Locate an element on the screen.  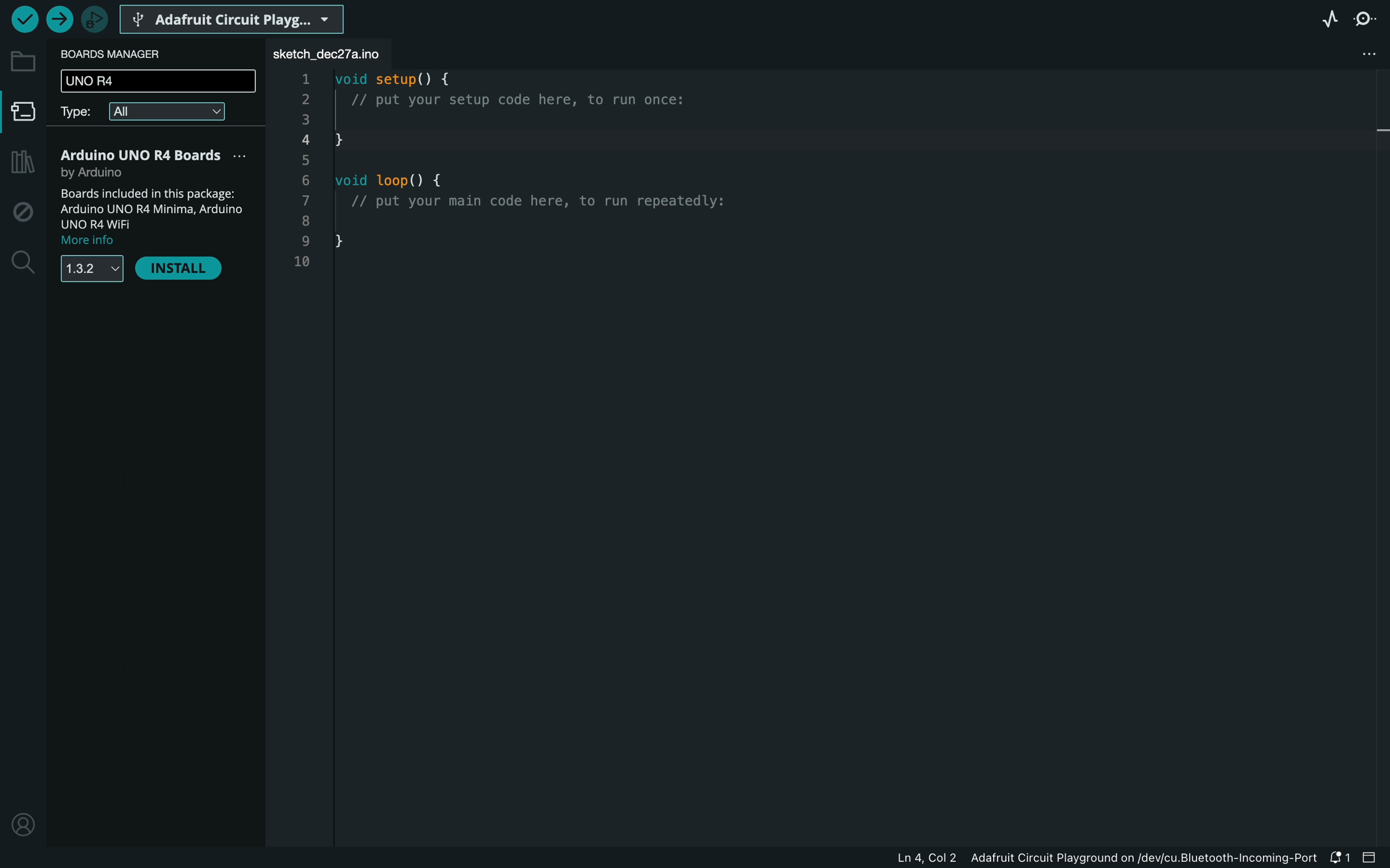
library manager is located at coordinates (22, 160).